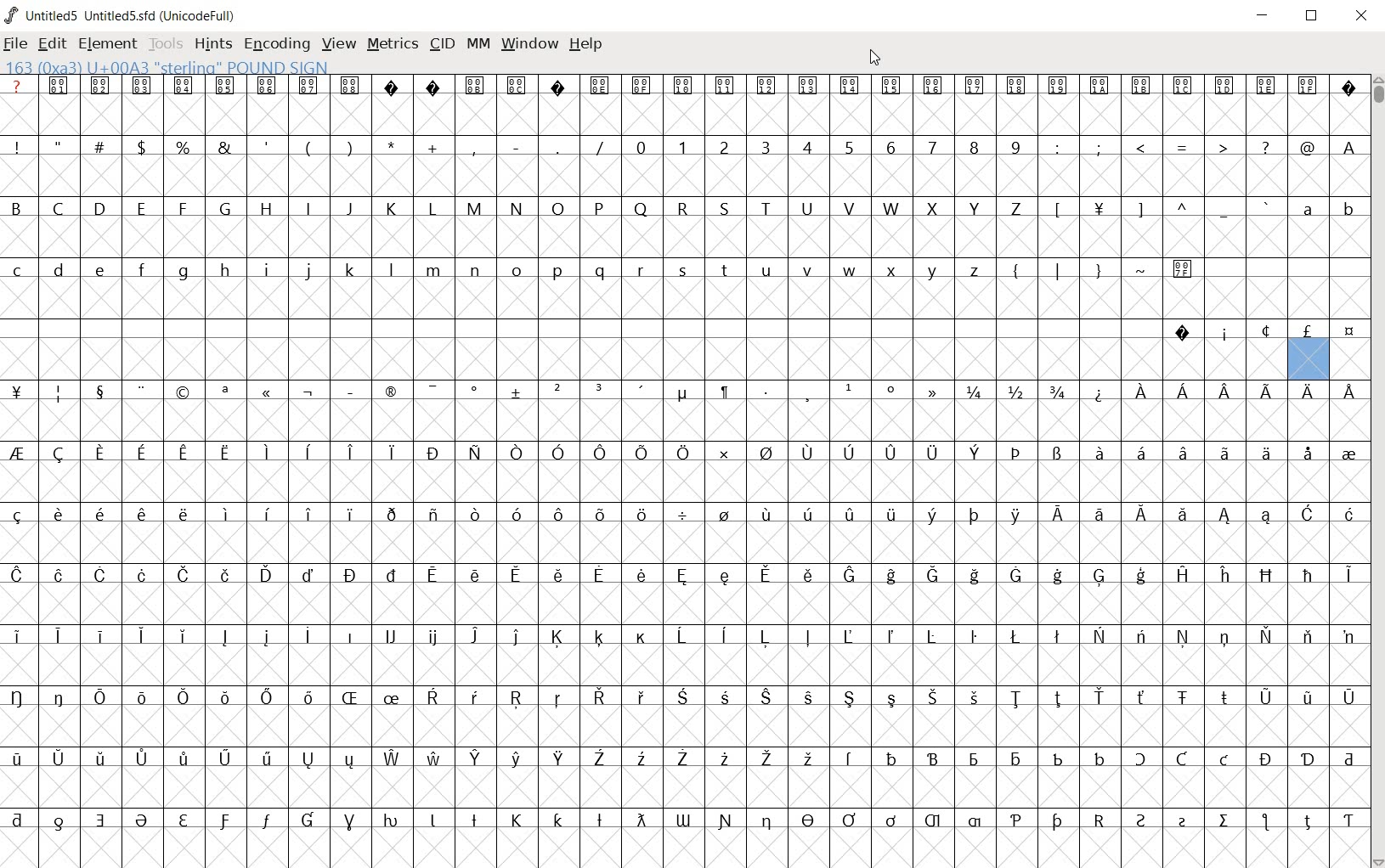 This screenshot has width=1385, height=868. Describe the element at coordinates (1143, 391) in the screenshot. I see `Symbol` at that location.